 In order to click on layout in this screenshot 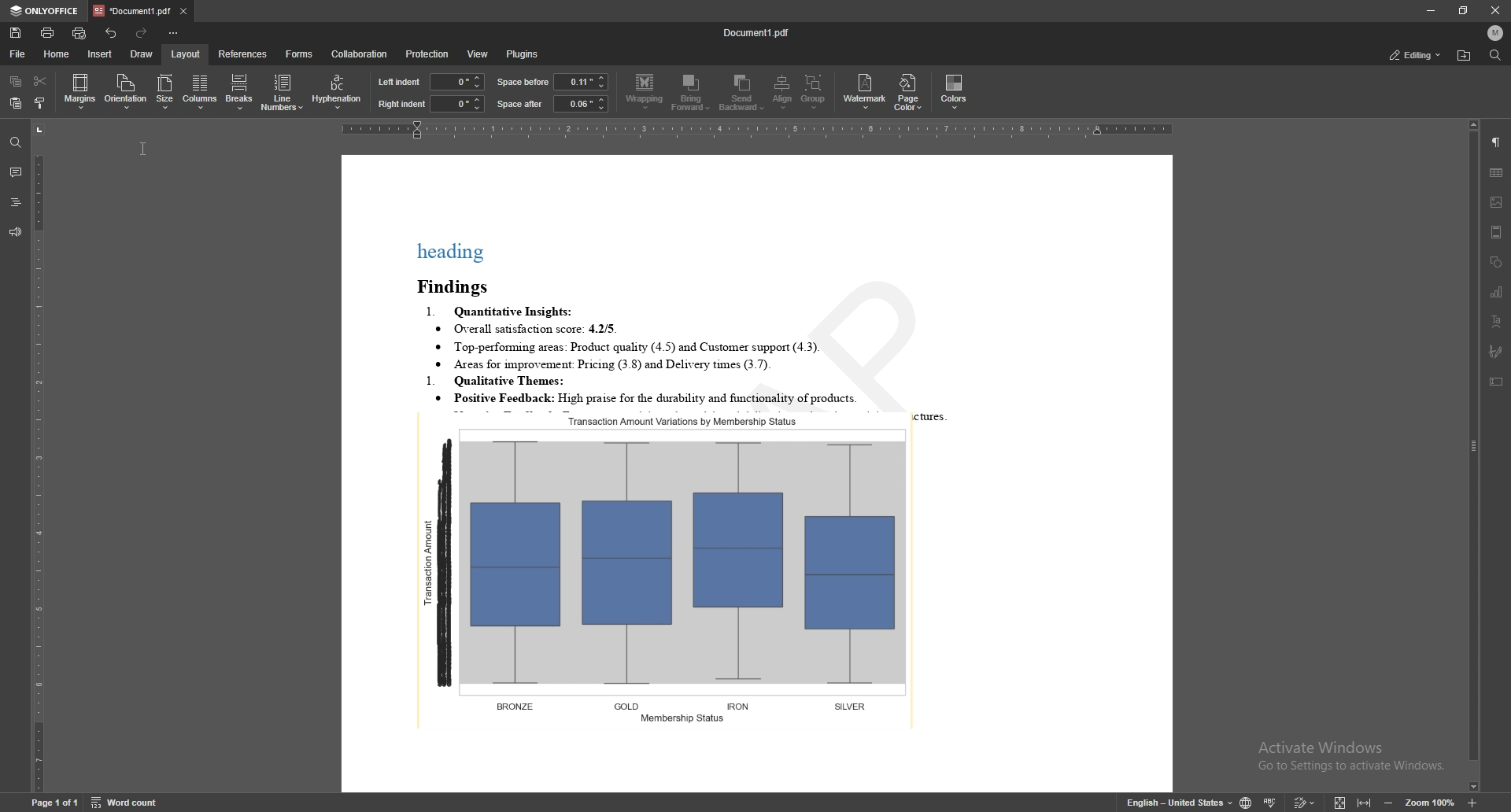, I will do `click(187, 54)`.